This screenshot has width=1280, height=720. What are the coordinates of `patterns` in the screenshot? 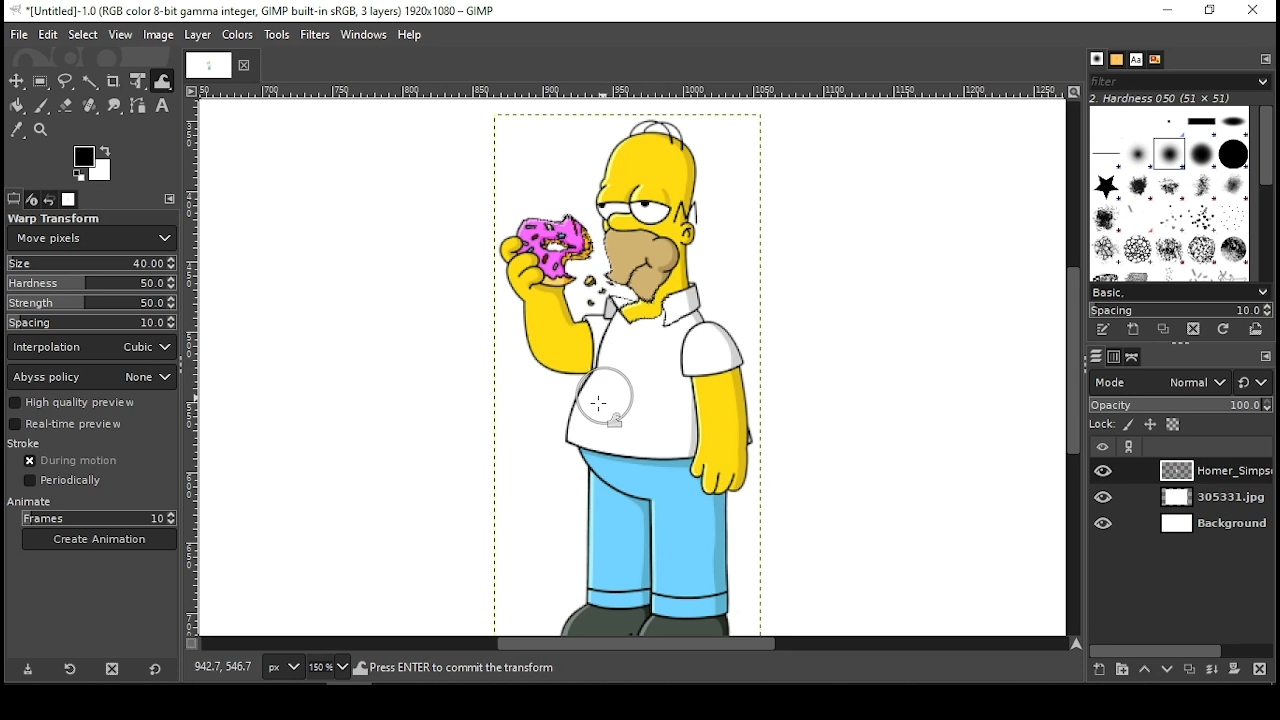 It's located at (1117, 60).